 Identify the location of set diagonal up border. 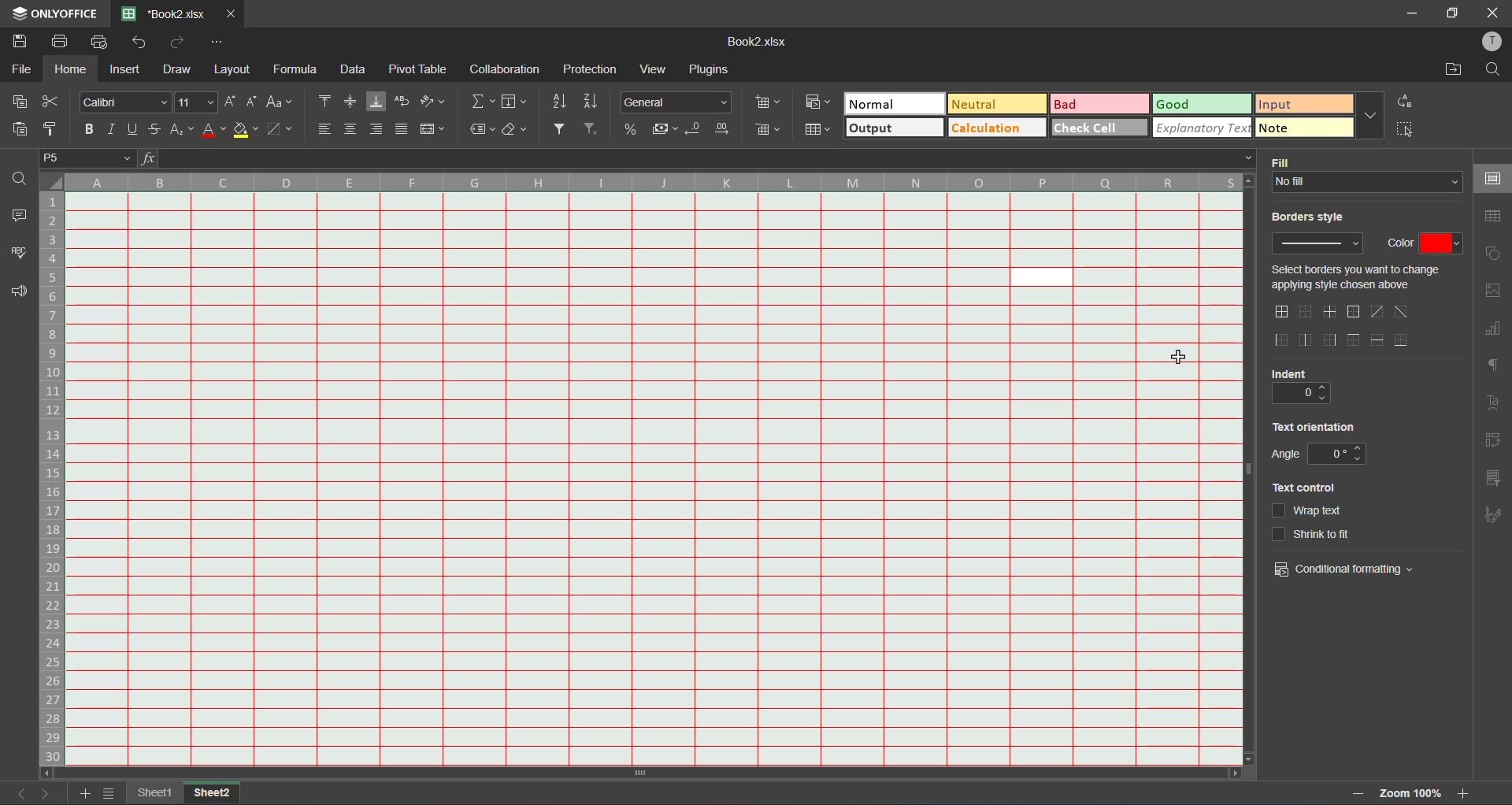
(1377, 313).